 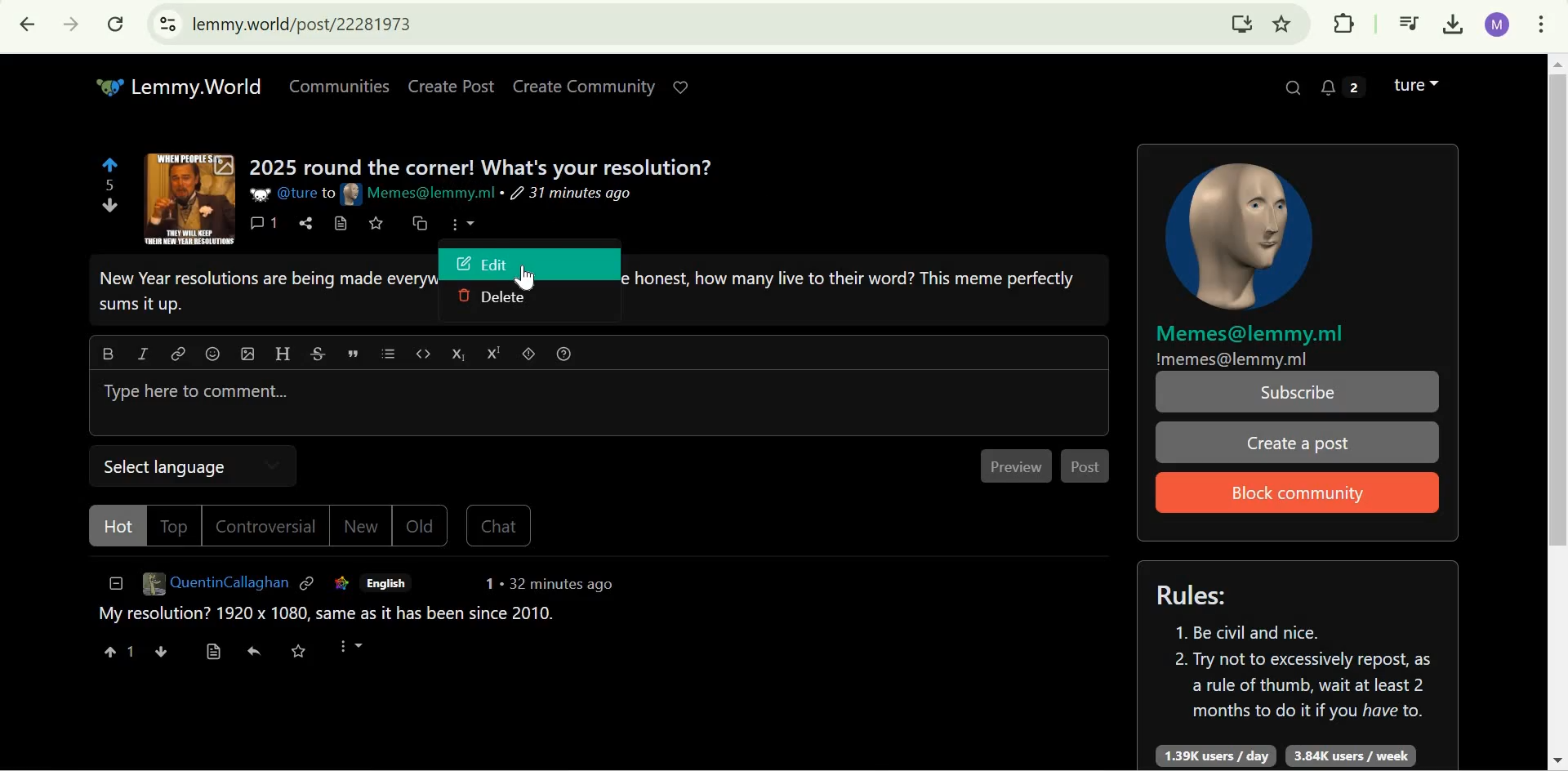 What do you see at coordinates (600, 404) in the screenshot?
I see `Type here to comment...` at bounding box center [600, 404].